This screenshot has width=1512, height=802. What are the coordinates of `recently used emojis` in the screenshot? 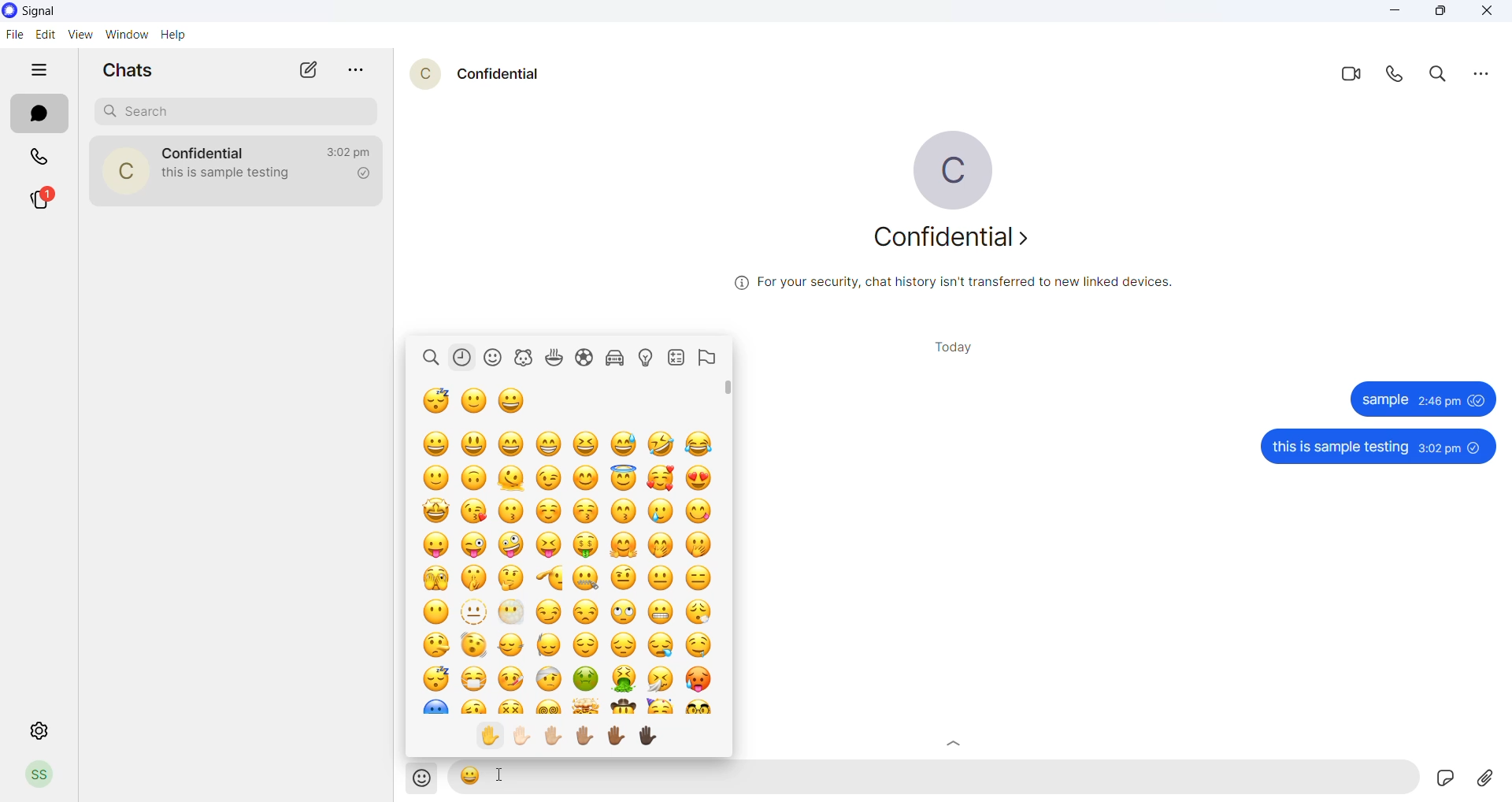 It's located at (465, 358).